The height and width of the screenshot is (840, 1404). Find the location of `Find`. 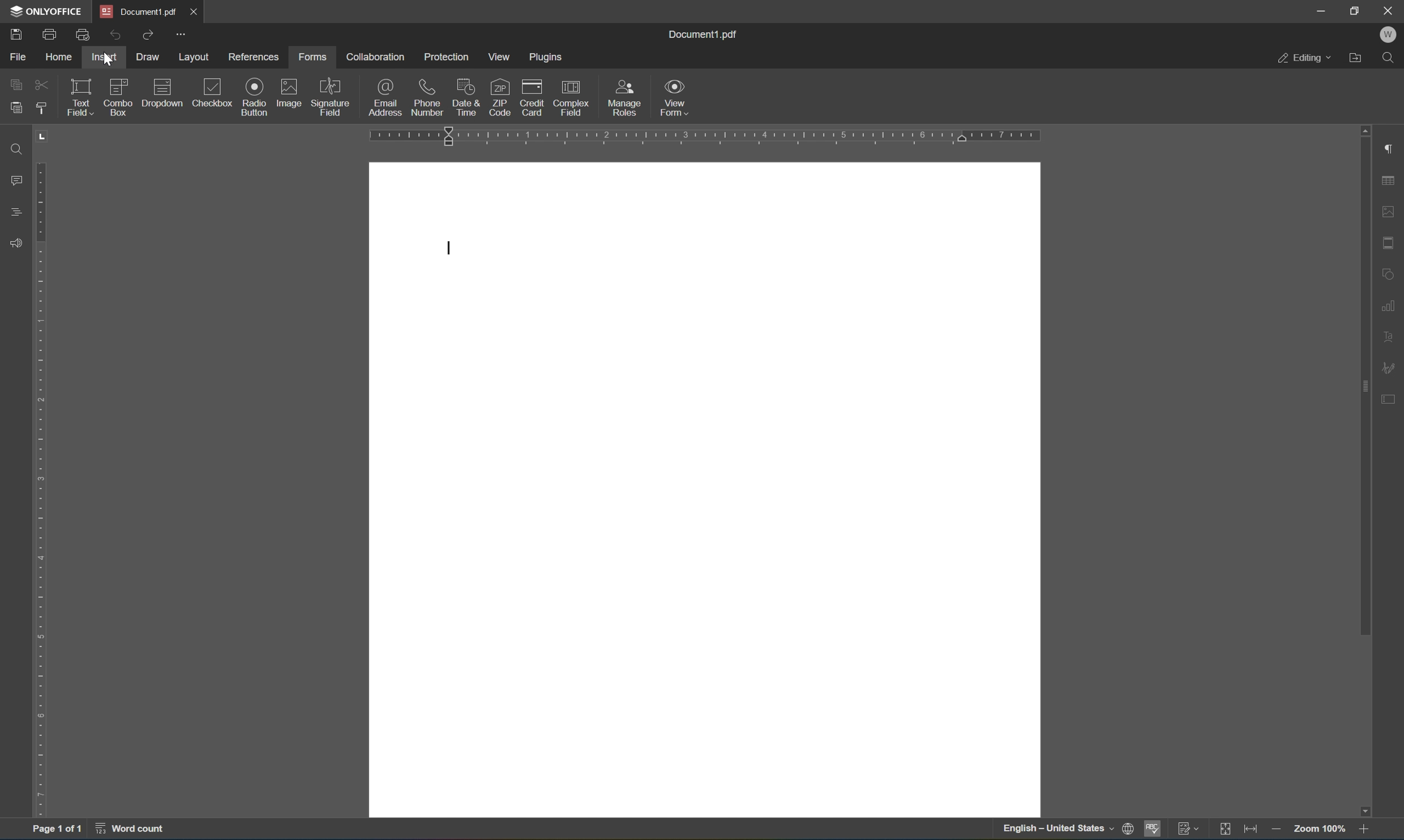

Find is located at coordinates (1388, 58).